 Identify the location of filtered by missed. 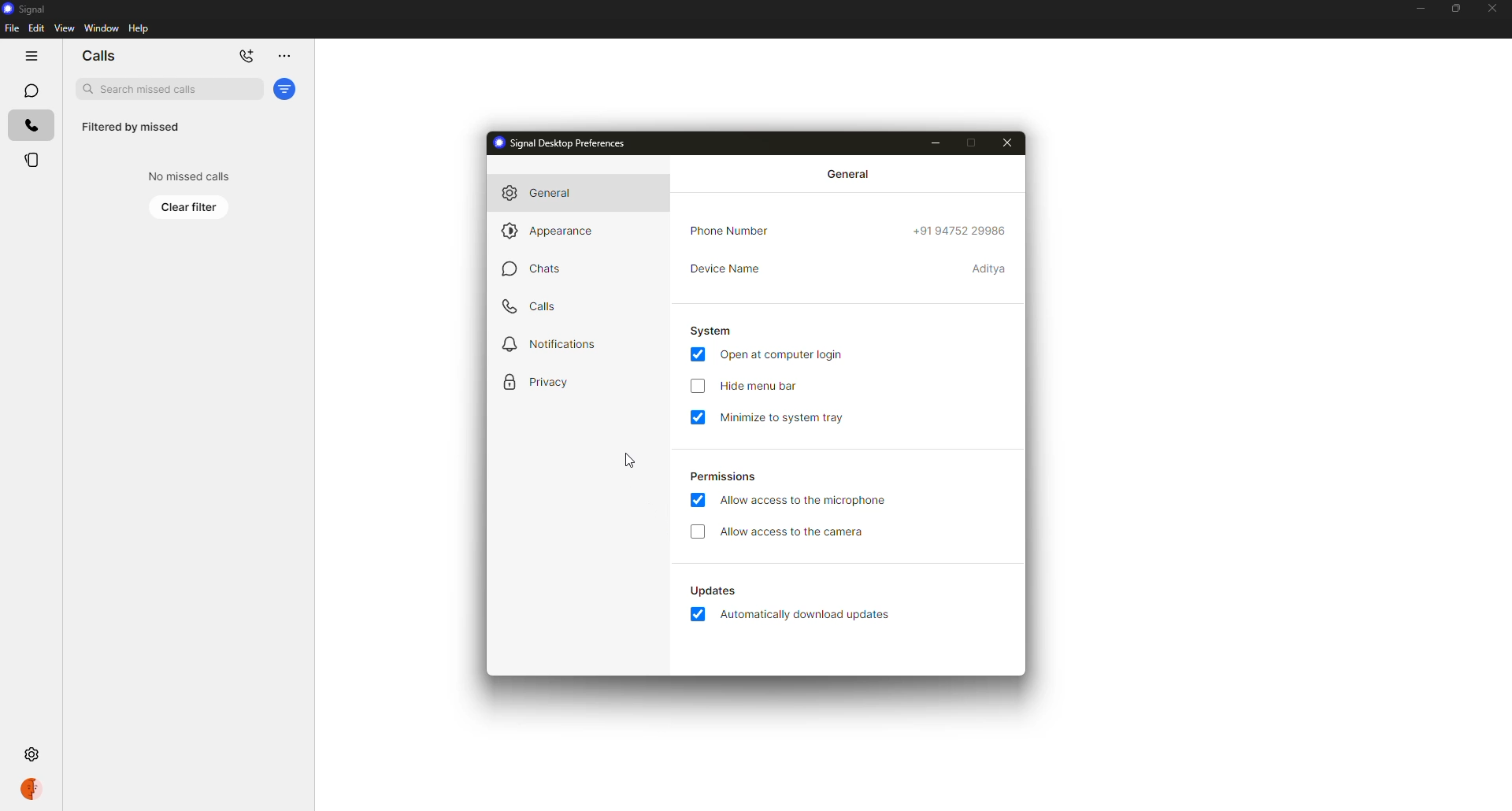
(131, 128).